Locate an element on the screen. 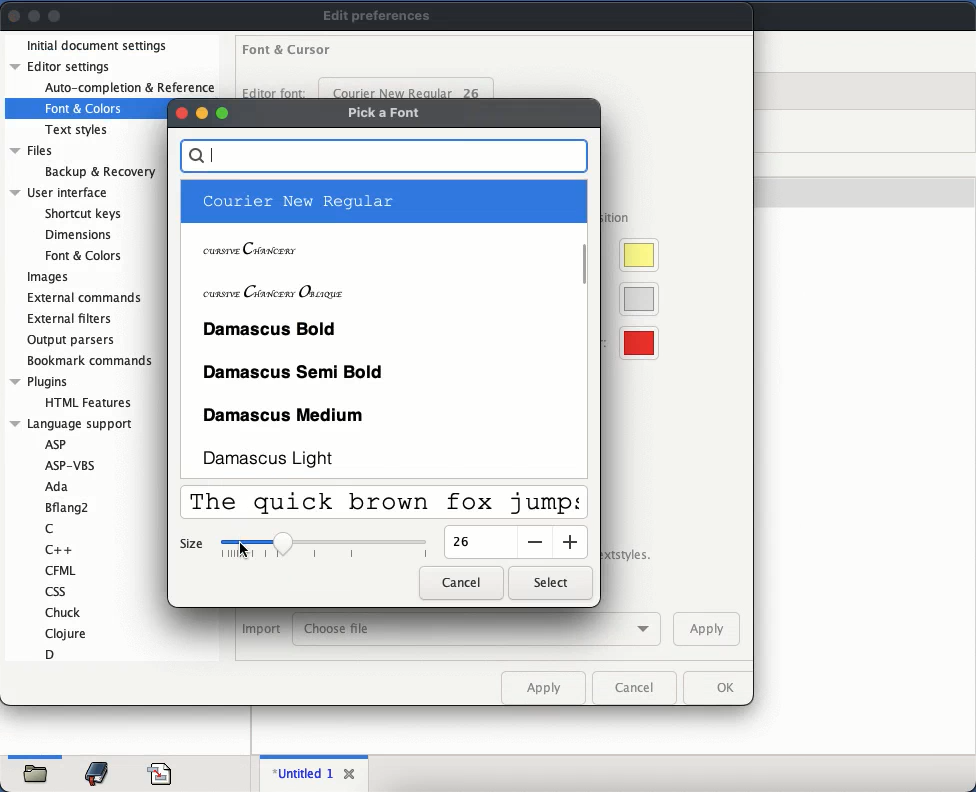  scroll is located at coordinates (586, 326).